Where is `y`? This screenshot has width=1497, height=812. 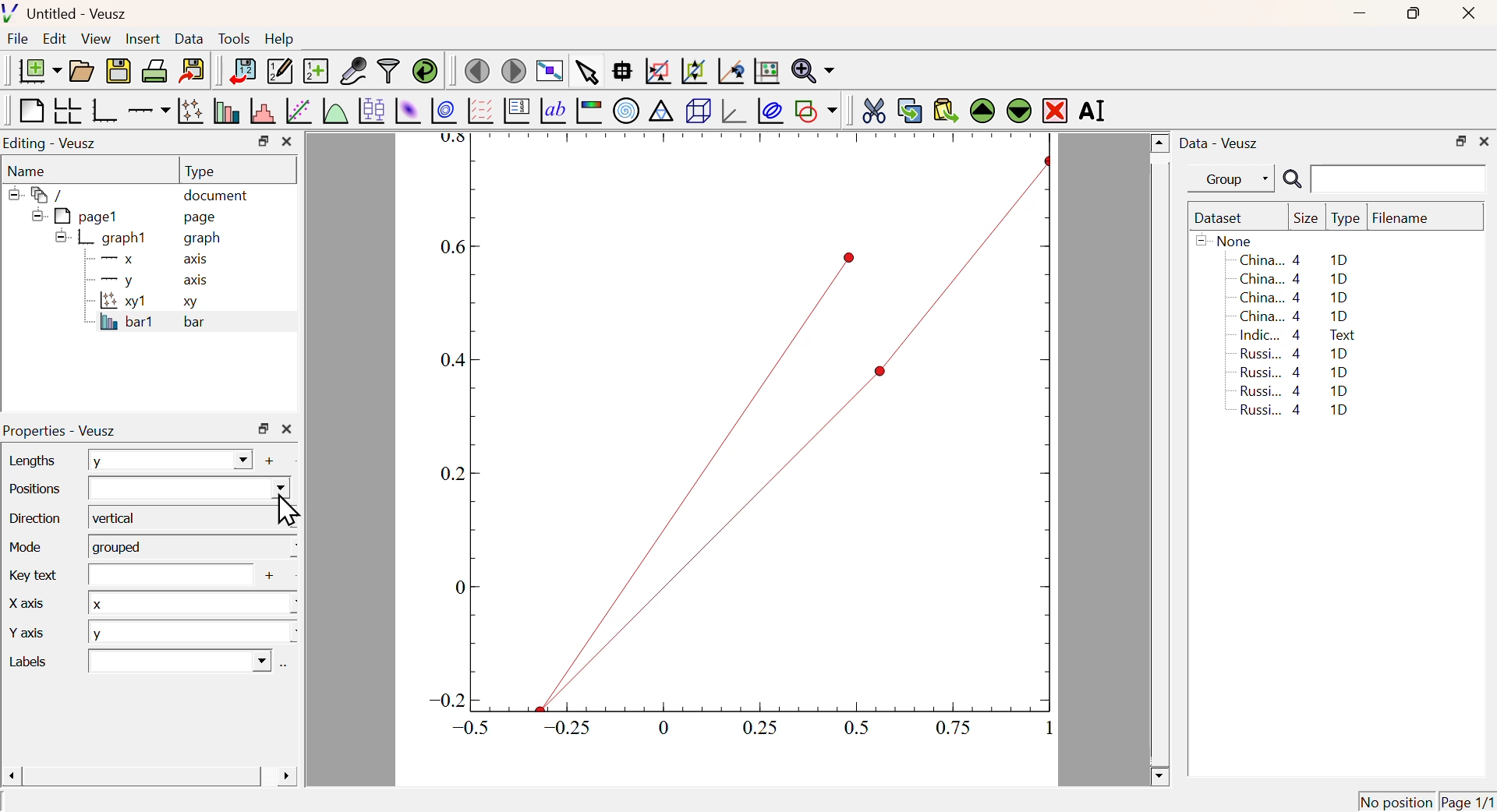 y is located at coordinates (170, 461).